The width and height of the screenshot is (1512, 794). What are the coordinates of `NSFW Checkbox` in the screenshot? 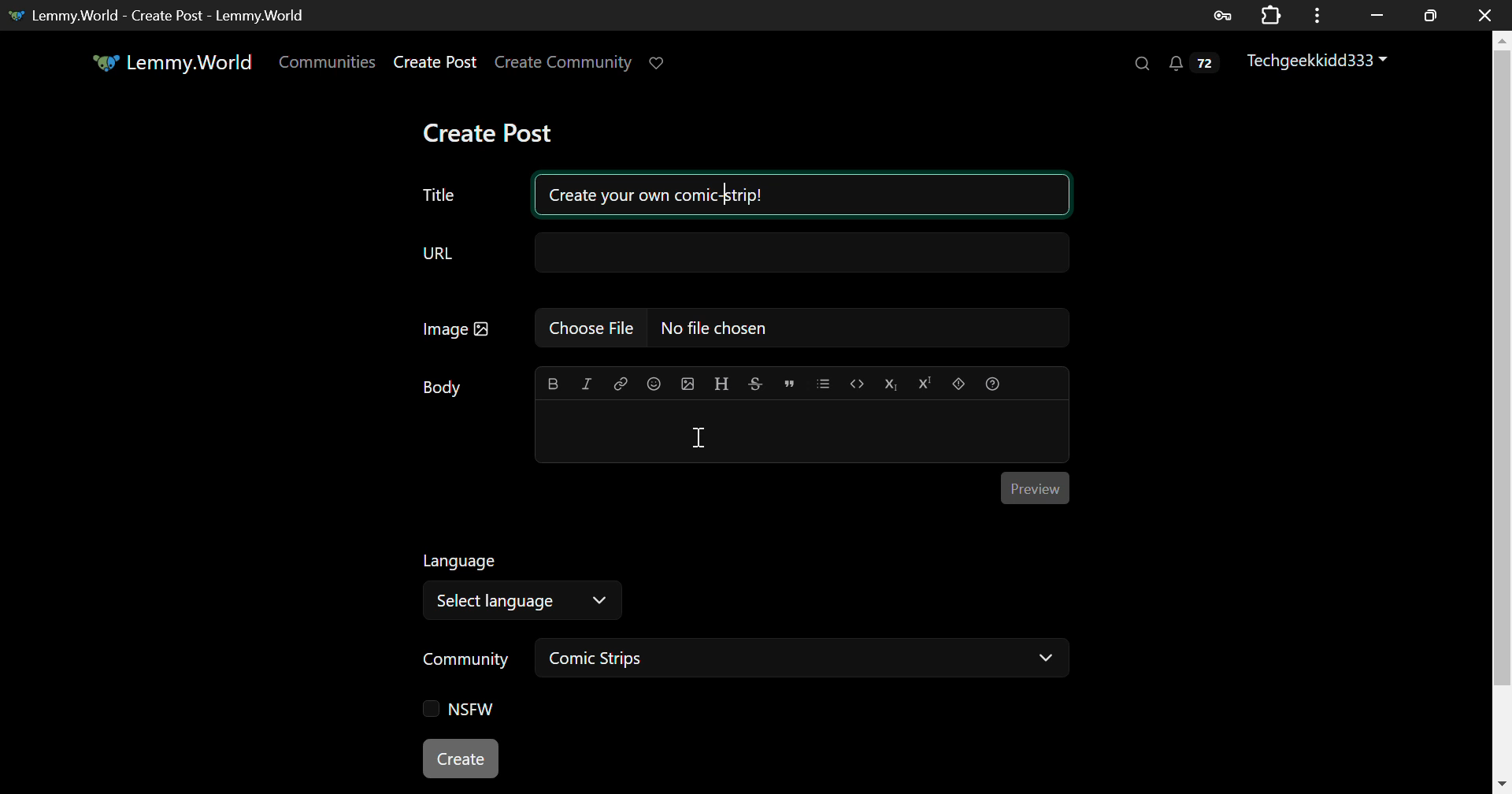 It's located at (459, 711).